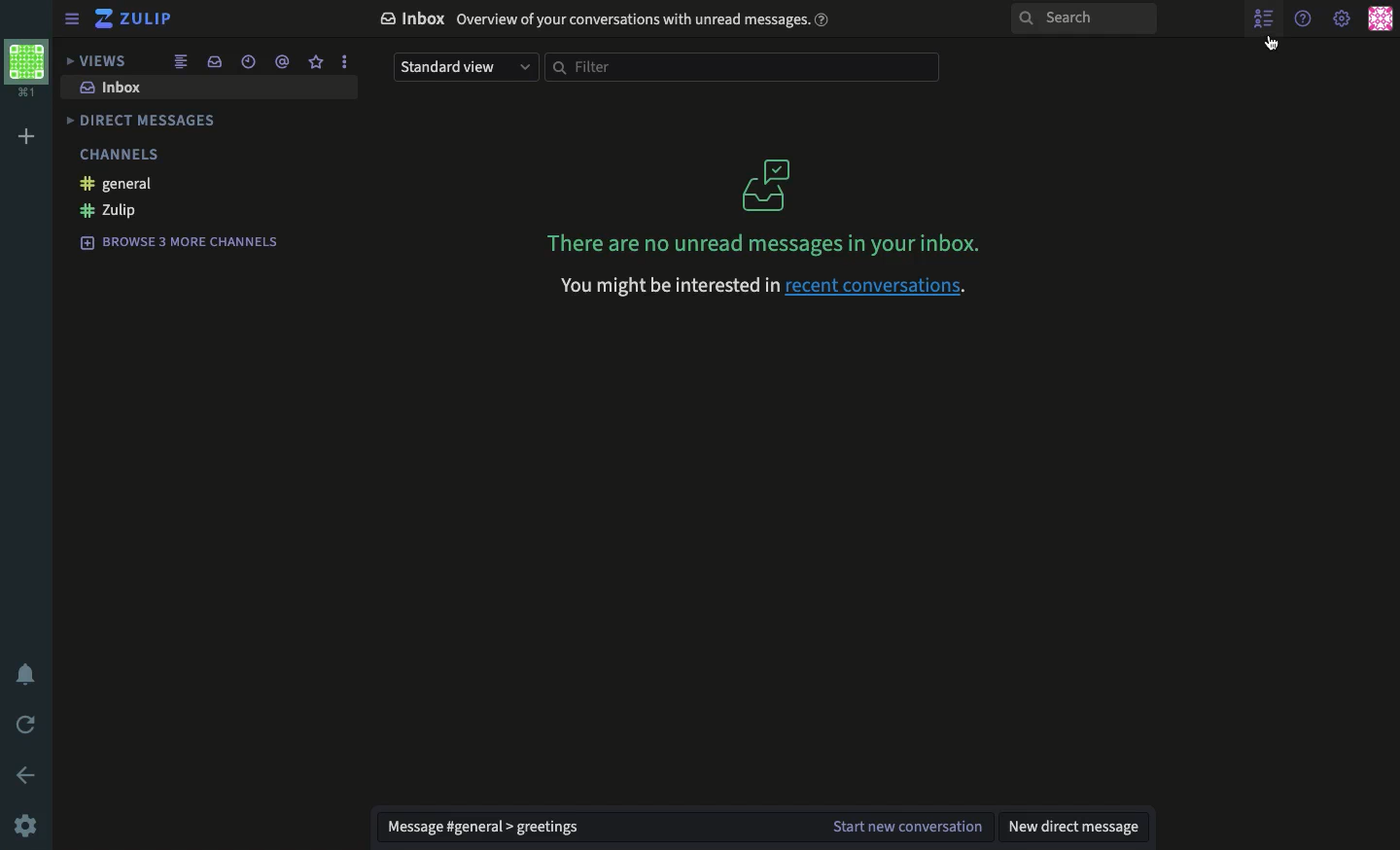 This screenshot has width=1400, height=850. Describe the element at coordinates (26, 71) in the screenshot. I see `workspace` at that location.